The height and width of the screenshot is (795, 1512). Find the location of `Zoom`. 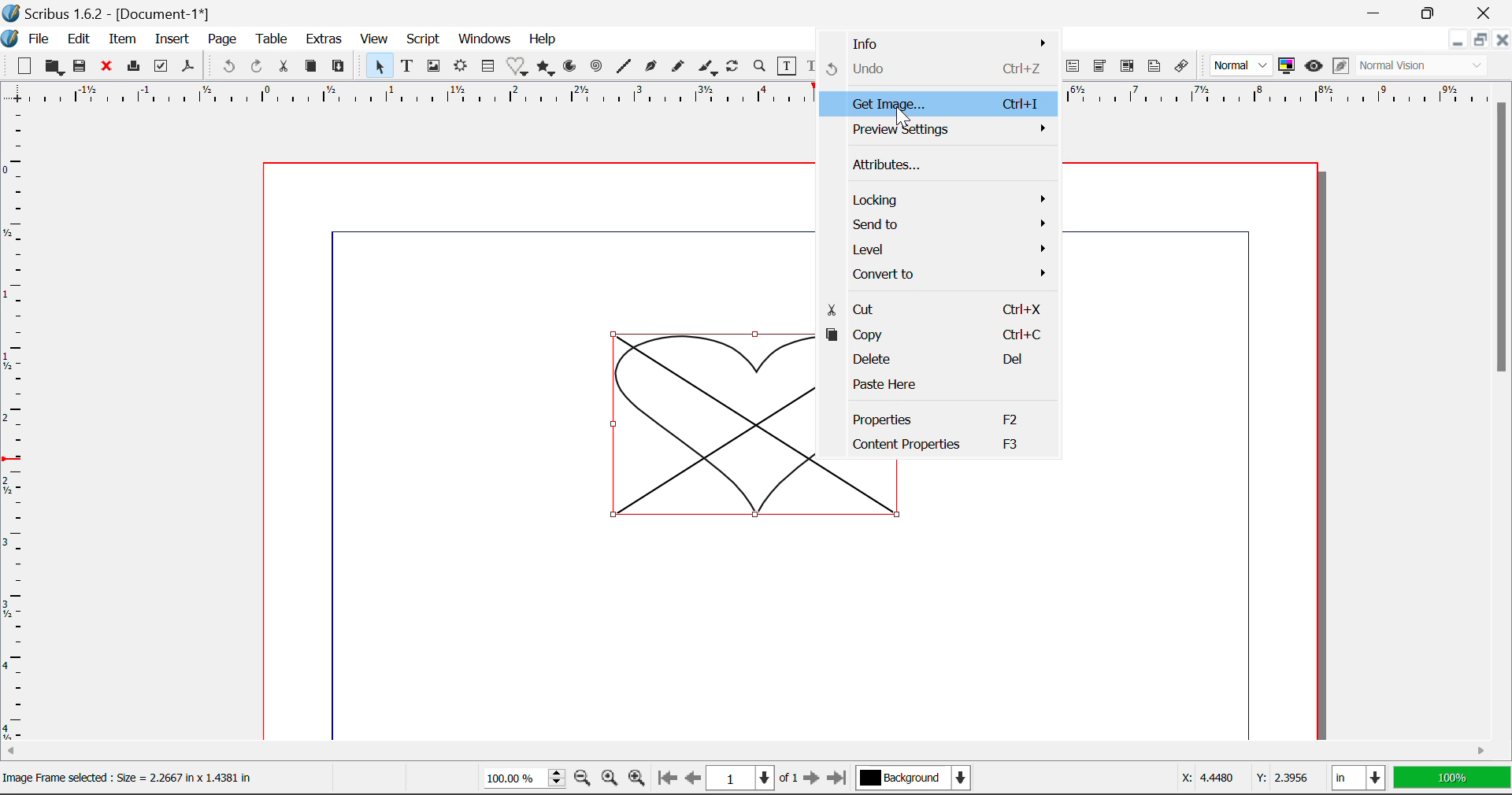

Zoom is located at coordinates (762, 68).